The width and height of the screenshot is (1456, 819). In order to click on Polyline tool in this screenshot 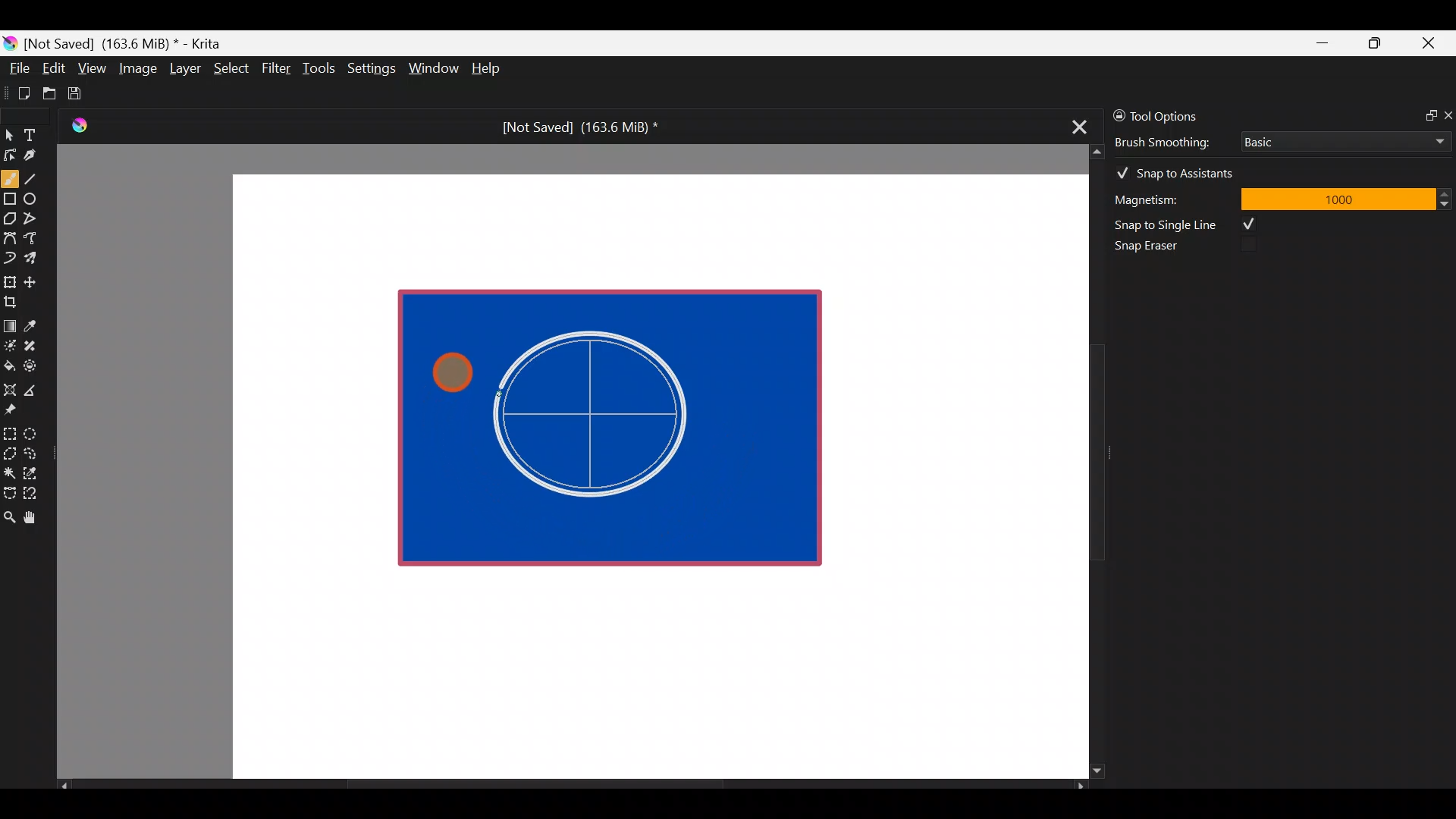, I will do `click(36, 219)`.